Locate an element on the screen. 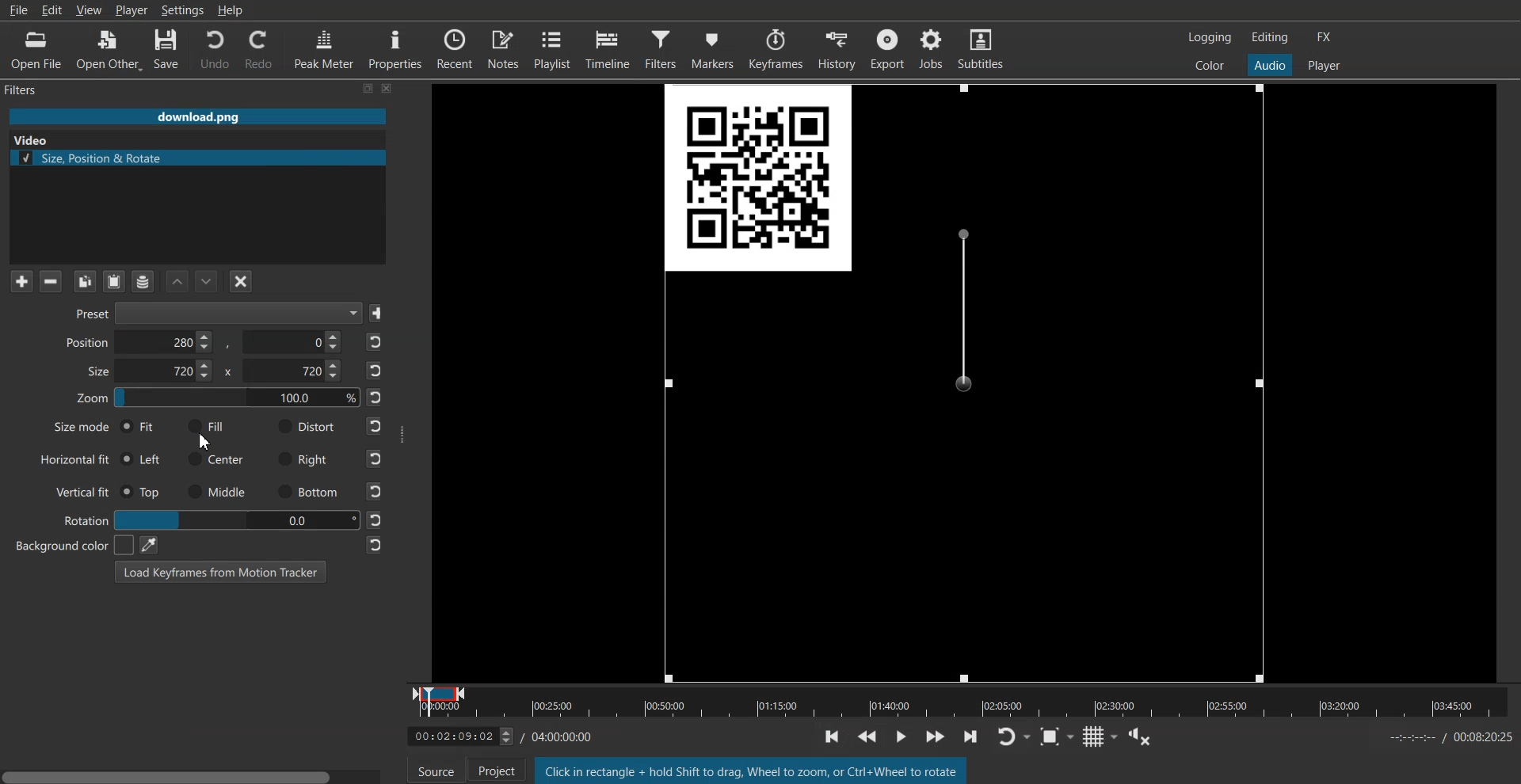  Load Keyframe From Motion Tracker is located at coordinates (220, 571).